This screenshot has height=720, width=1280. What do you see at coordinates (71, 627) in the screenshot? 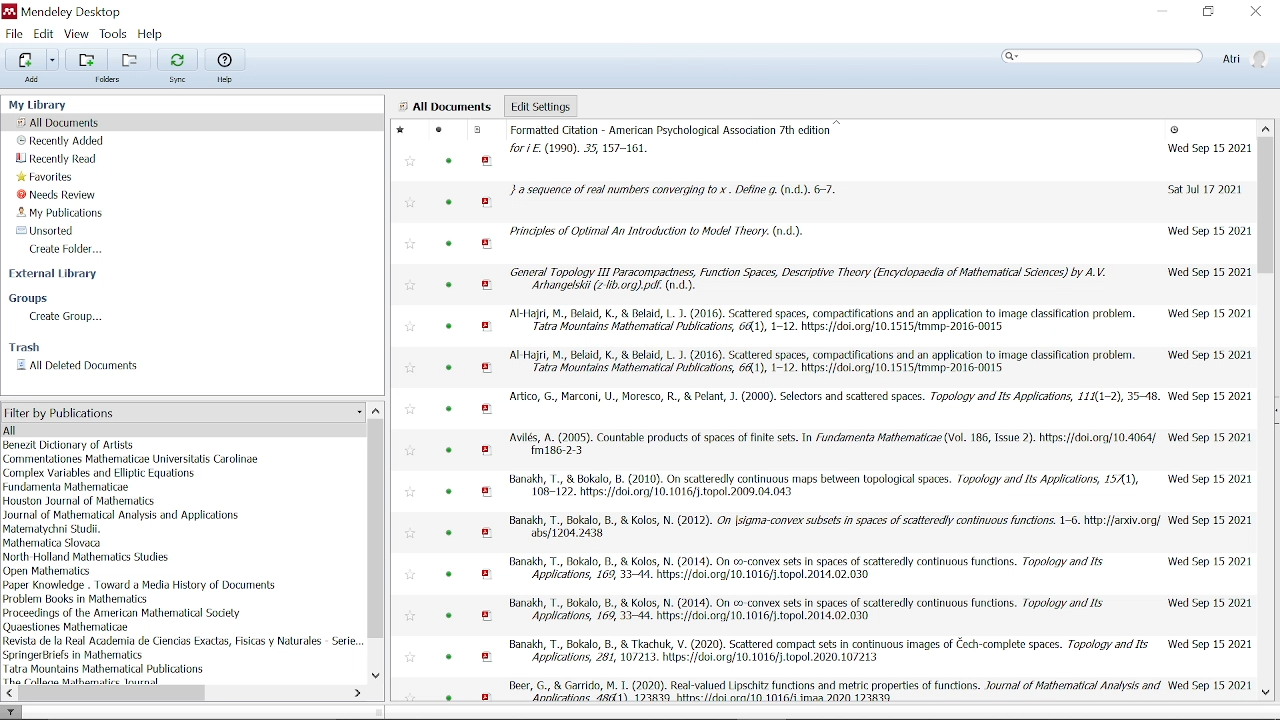
I see `author` at bounding box center [71, 627].